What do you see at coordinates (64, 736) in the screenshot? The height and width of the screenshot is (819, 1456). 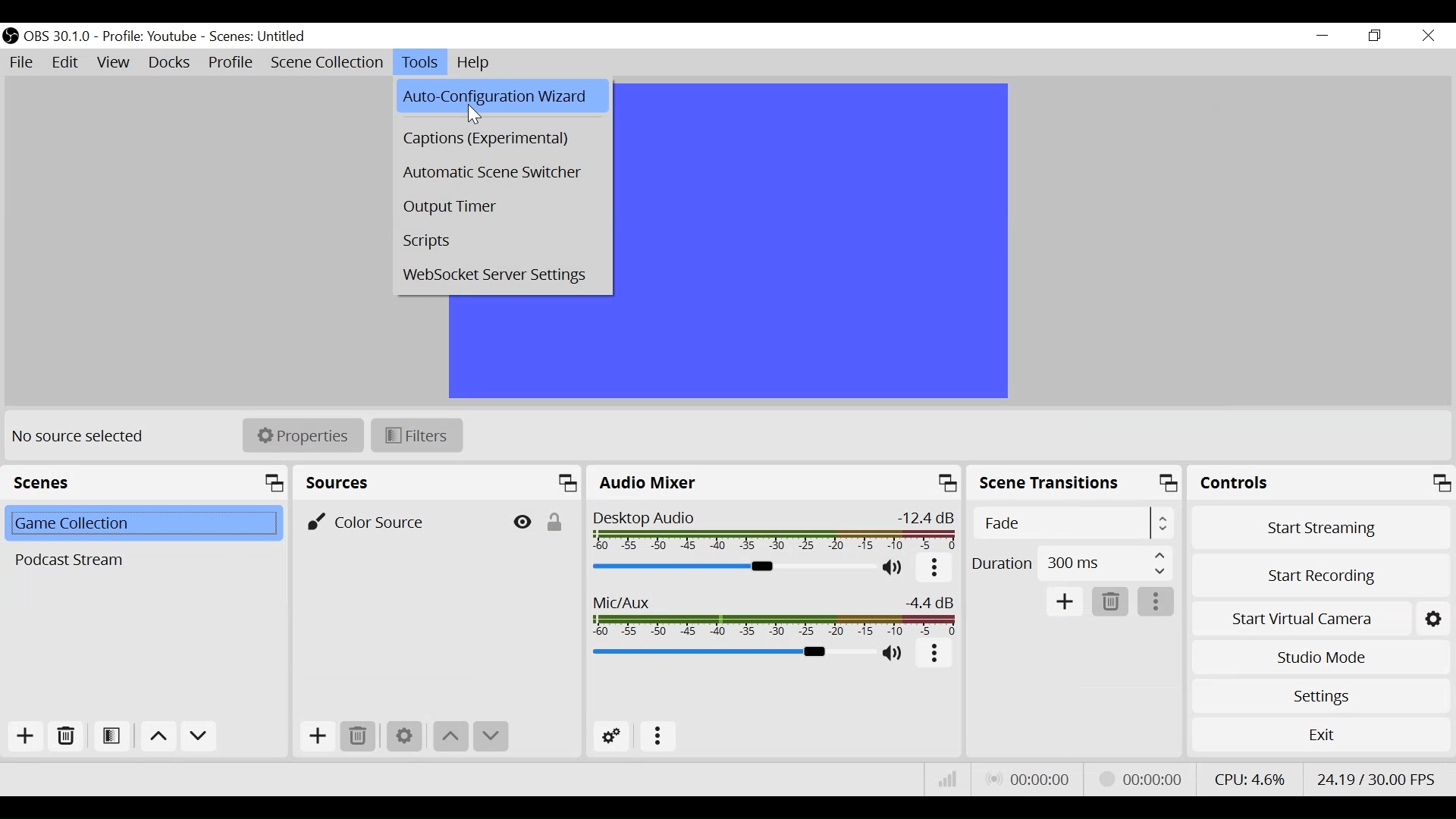 I see `Remove` at bounding box center [64, 736].